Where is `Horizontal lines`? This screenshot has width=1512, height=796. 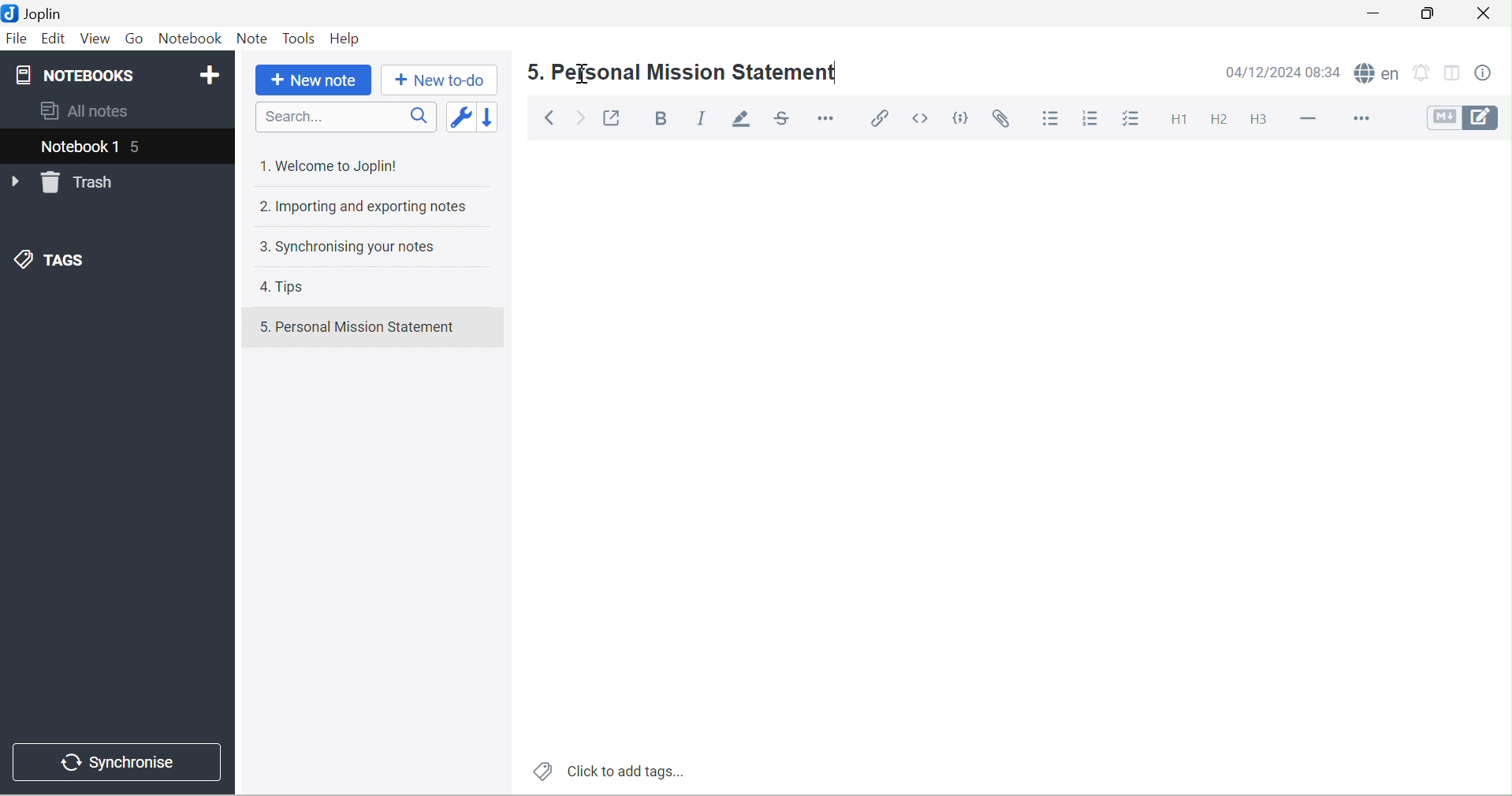
Horizontal lines is located at coordinates (1309, 119).